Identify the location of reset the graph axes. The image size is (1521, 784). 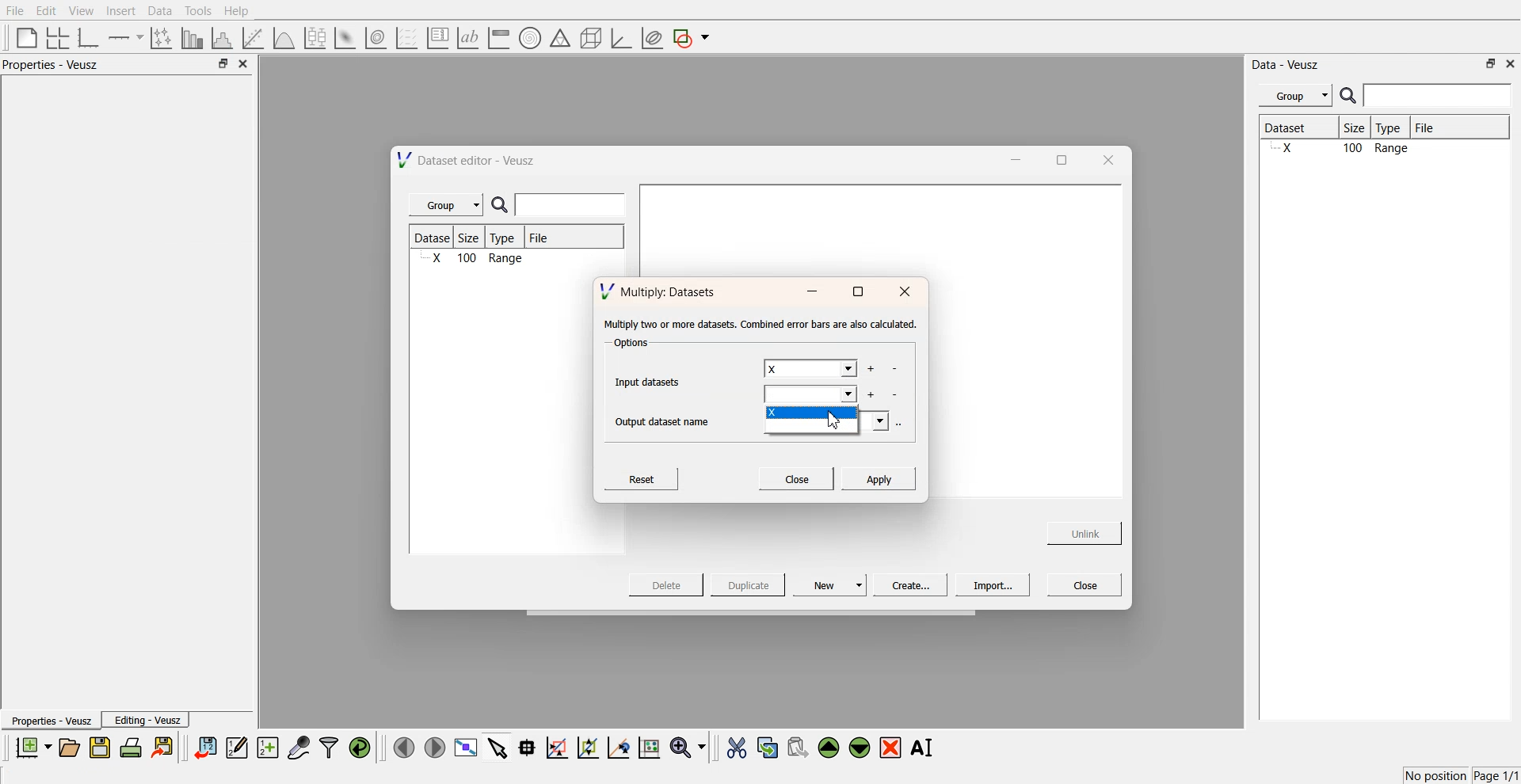
(649, 748).